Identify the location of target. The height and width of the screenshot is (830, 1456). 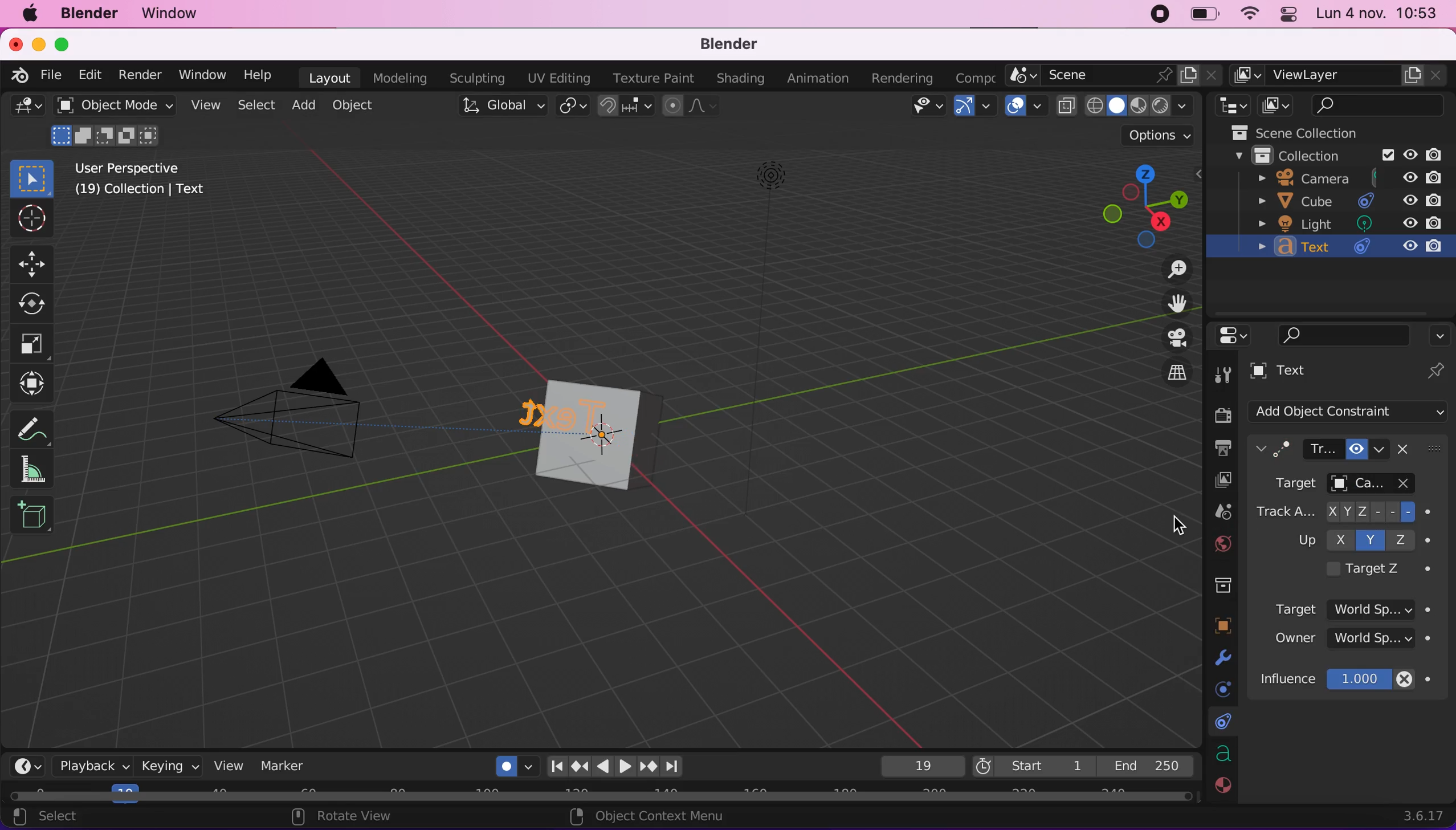
(1360, 605).